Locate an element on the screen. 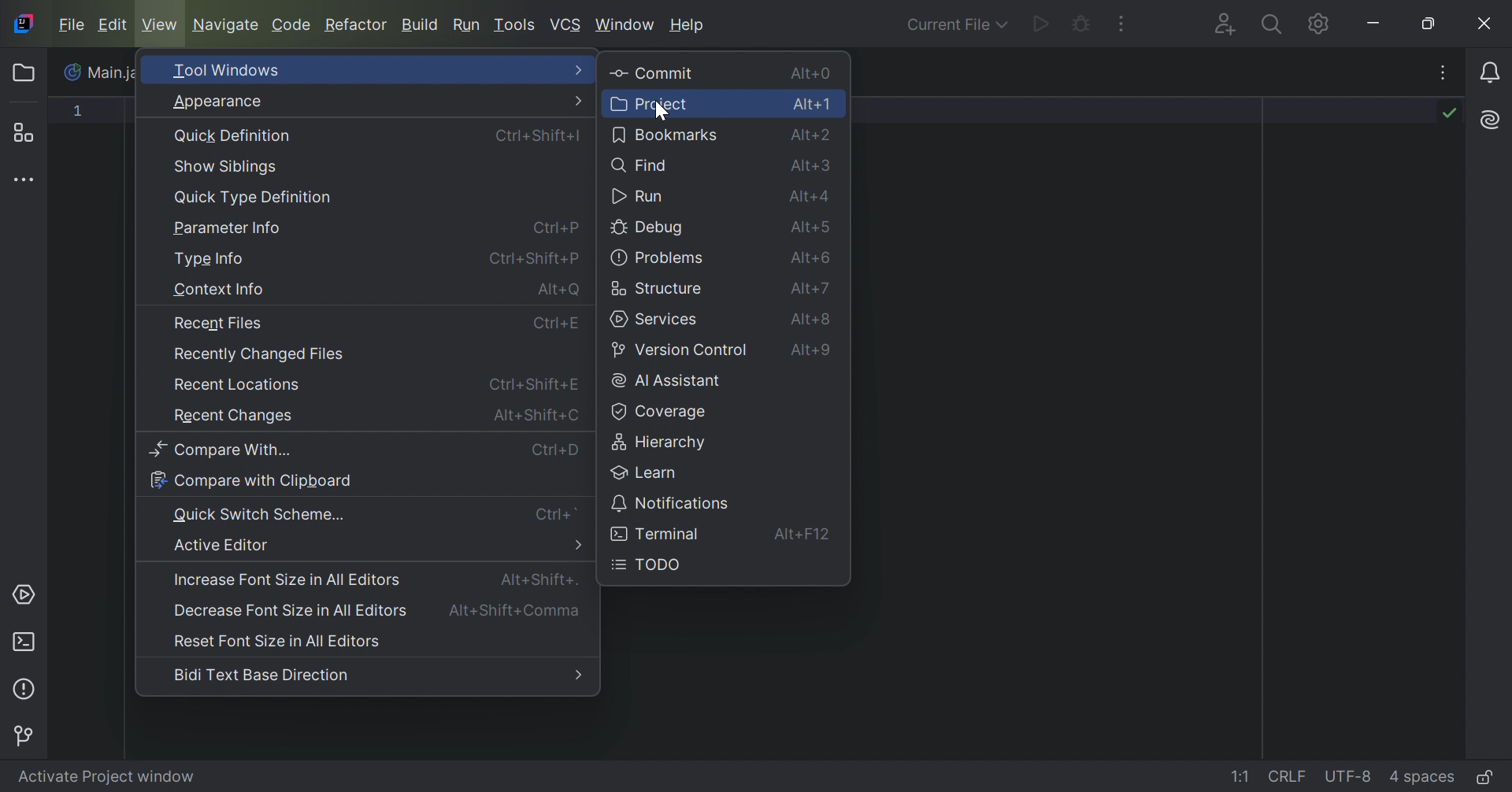 This screenshot has height=792, width=1512. Help is located at coordinates (689, 25).